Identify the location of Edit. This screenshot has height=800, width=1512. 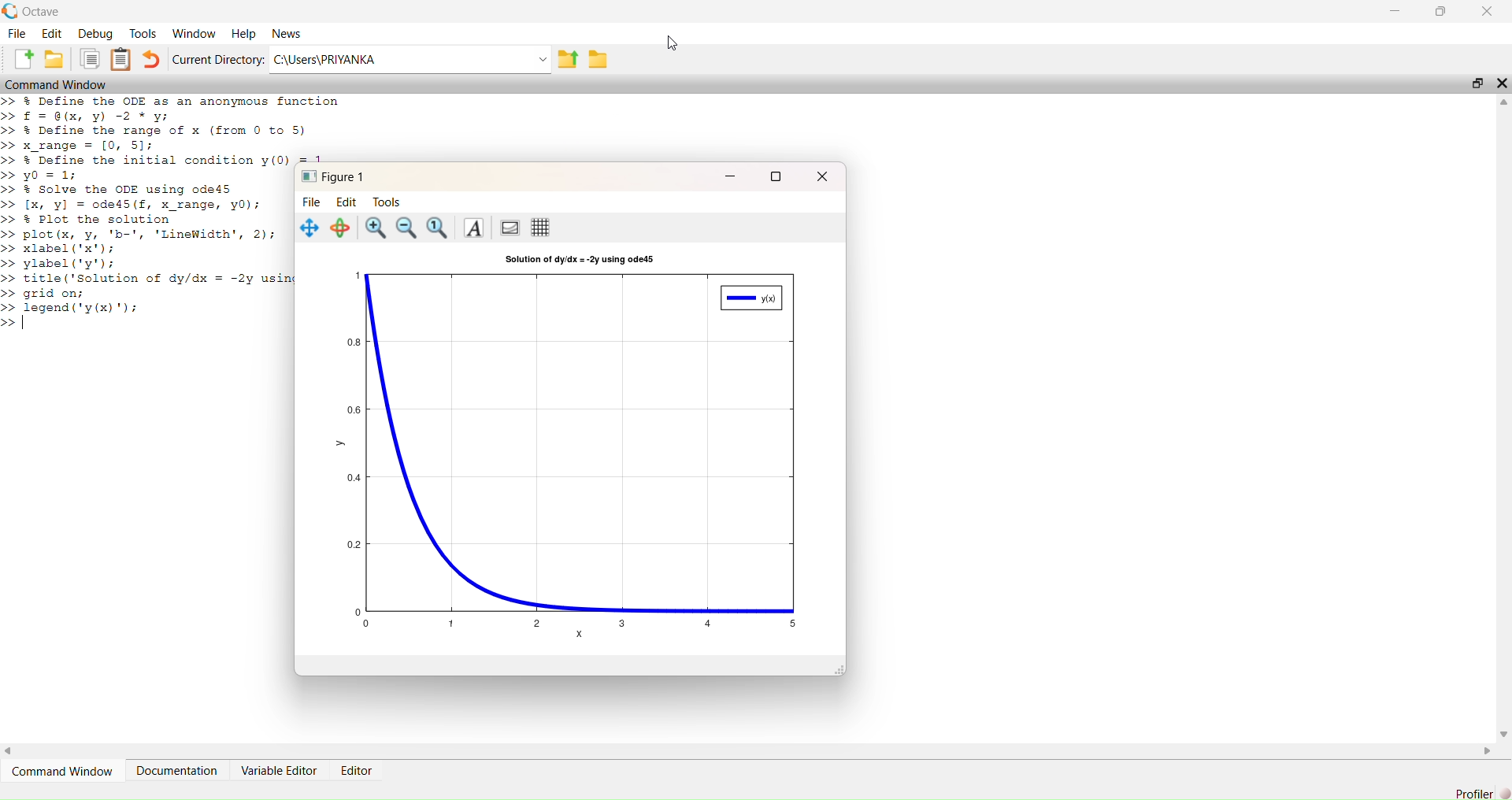
(346, 202).